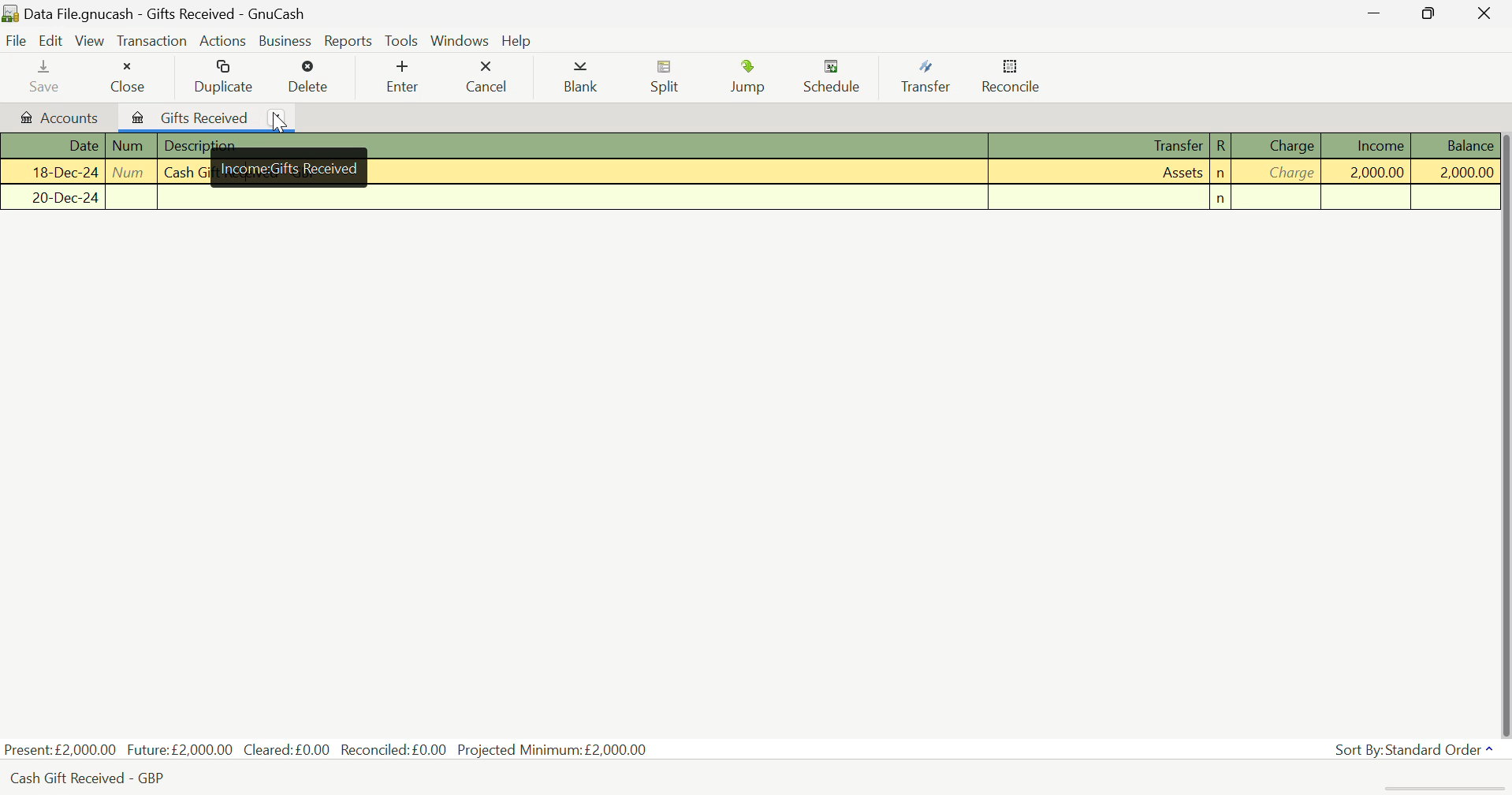  What do you see at coordinates (282, 39) in the screenshot?
I see `Business` at bounding box center [282, 39].